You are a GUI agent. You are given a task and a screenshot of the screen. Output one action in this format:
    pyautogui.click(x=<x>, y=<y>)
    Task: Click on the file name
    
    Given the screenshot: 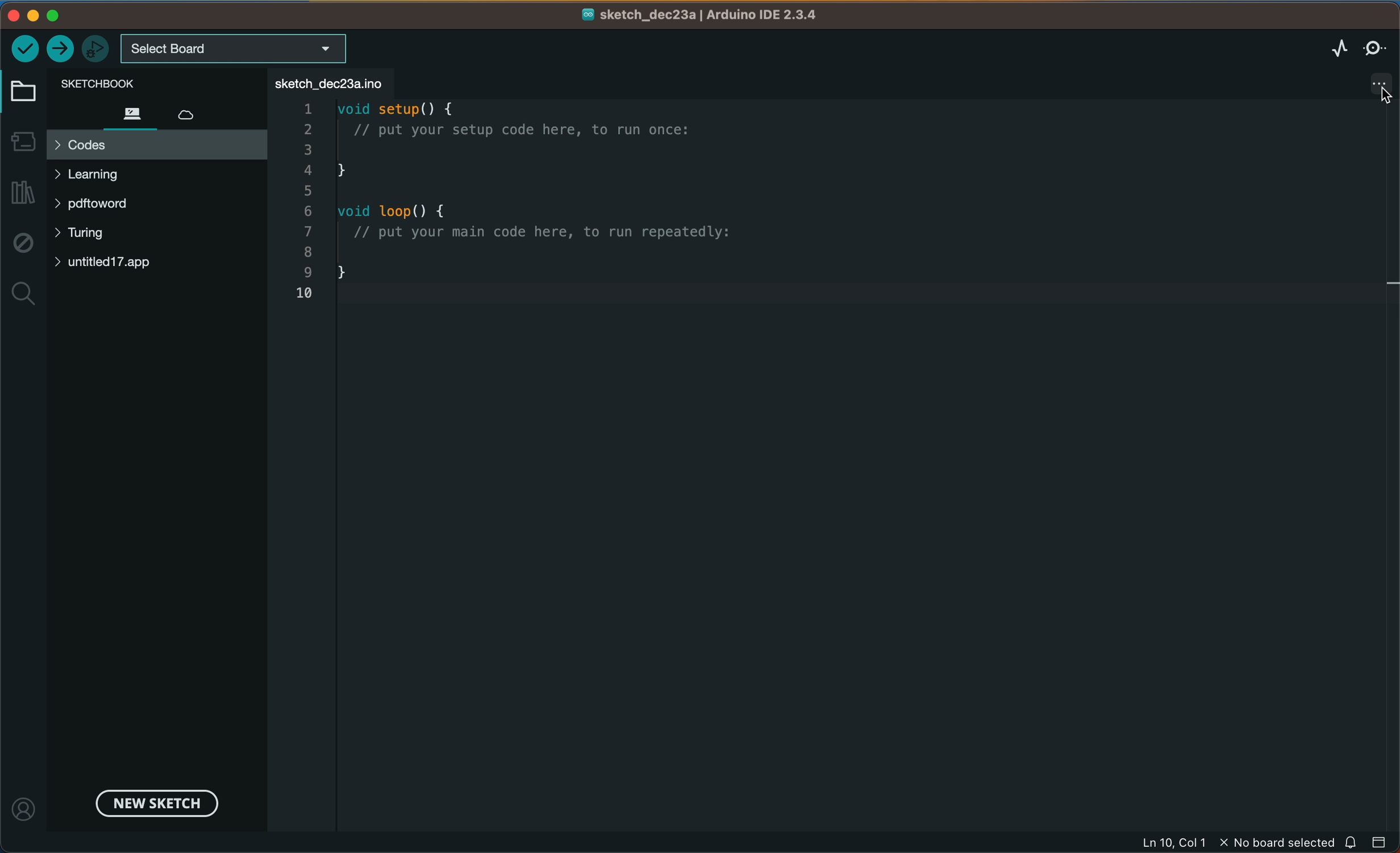 What is the action you would take?
    pyautogui.click(x=701, y=15)
    